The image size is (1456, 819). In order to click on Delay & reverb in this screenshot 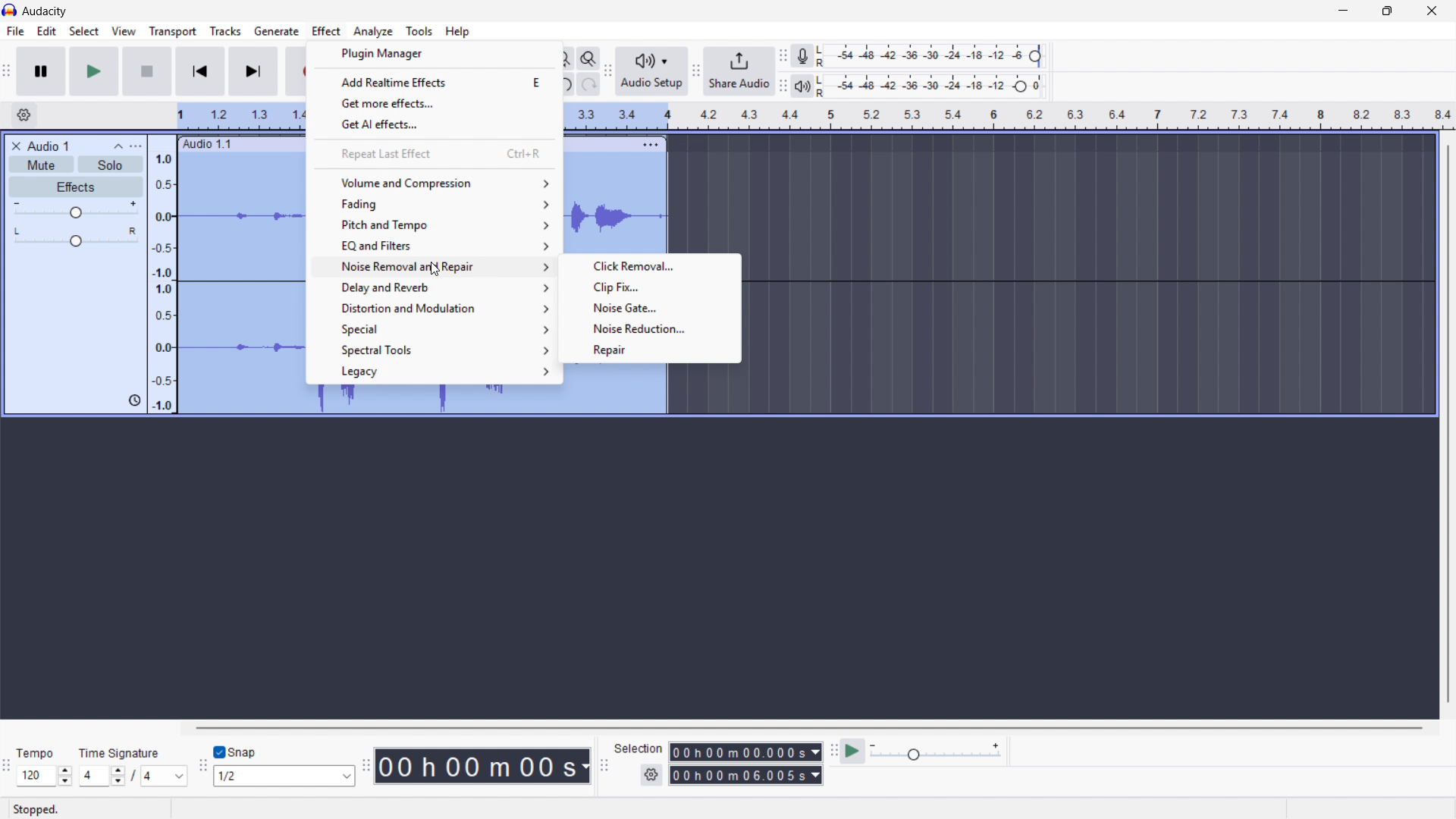, I will do `click(433, 288)`.